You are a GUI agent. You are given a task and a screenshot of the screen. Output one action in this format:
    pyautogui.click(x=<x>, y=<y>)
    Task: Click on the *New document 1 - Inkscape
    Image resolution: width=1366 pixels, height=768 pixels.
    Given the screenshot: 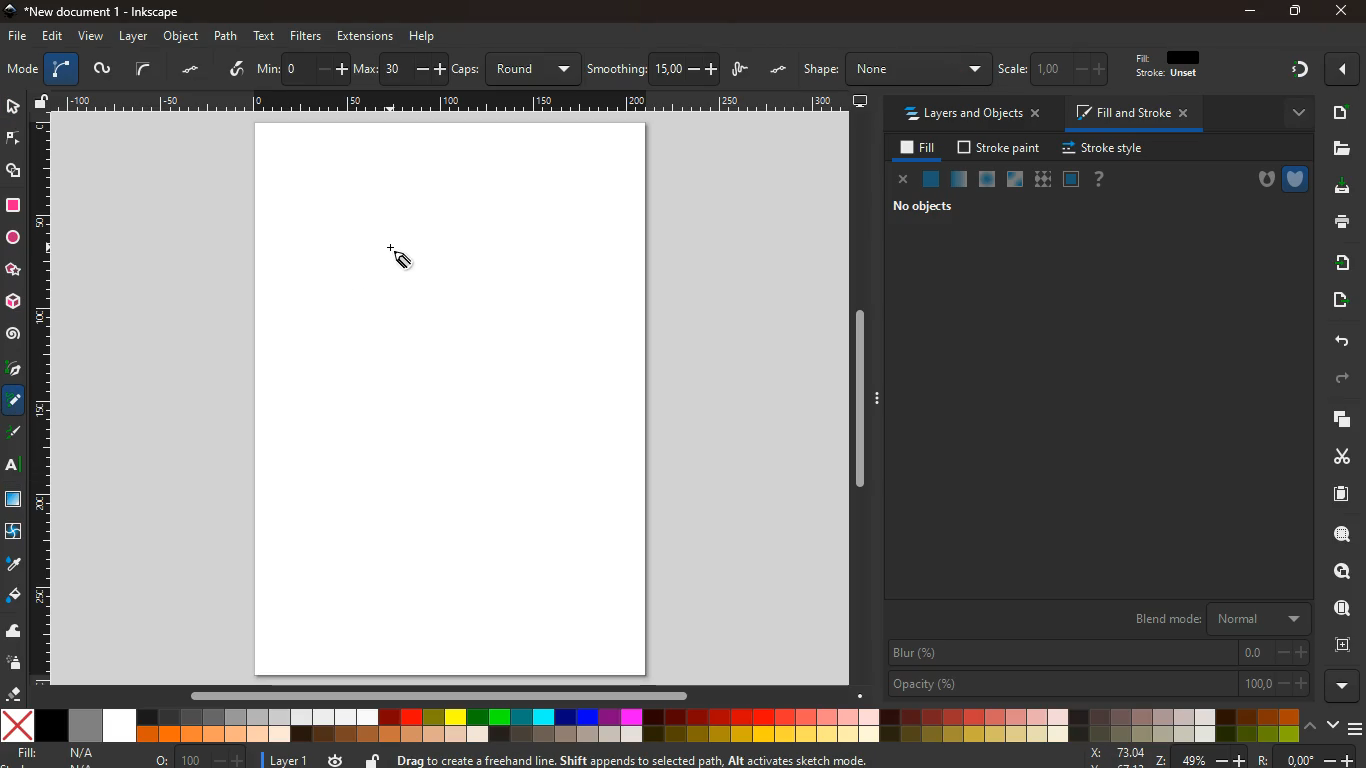 What is the action you would take?
    pyautogui.click(x=90, y=12)
    